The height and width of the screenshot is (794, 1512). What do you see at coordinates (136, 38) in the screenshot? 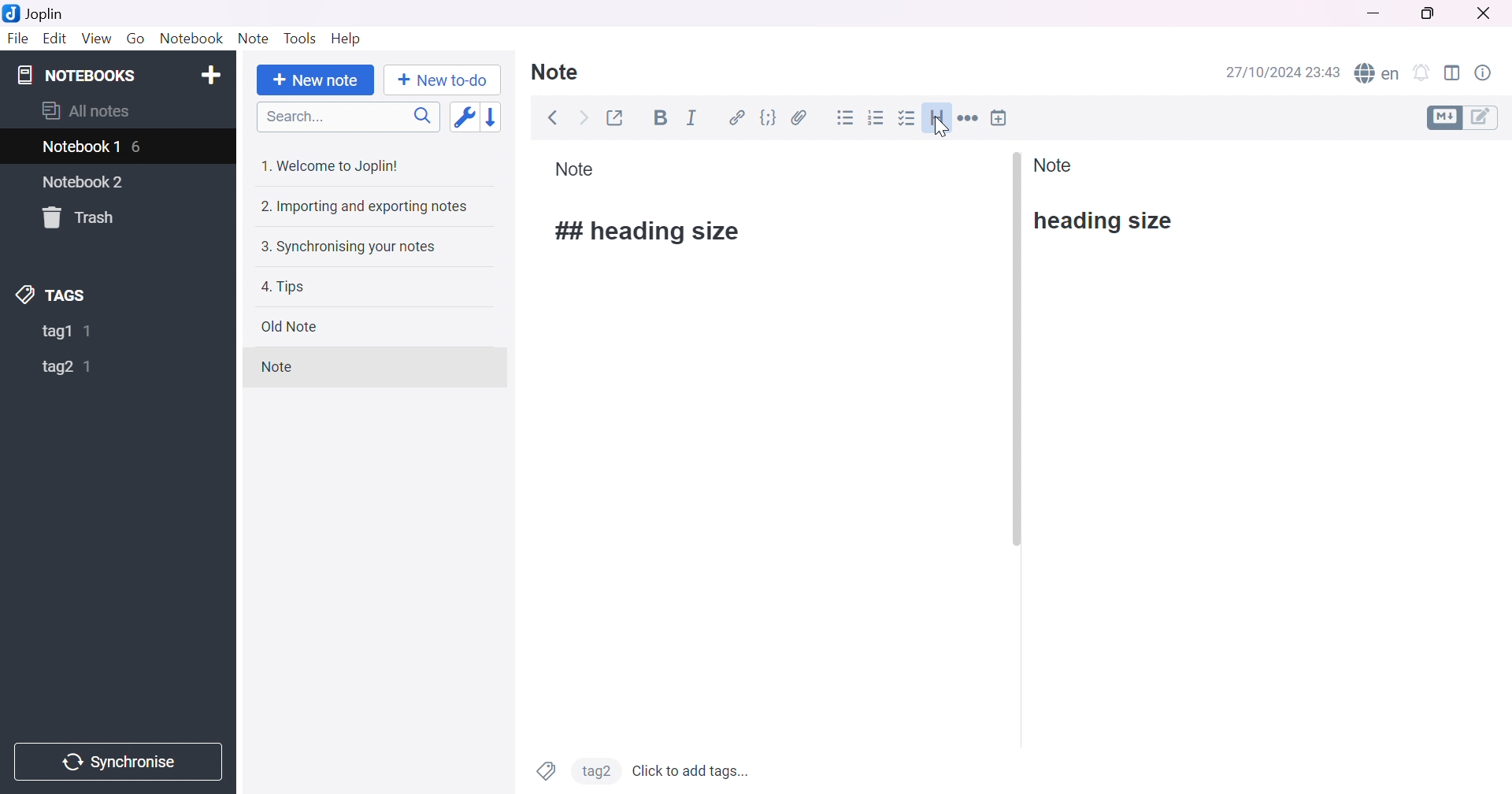
I see `Go` at bounding box center [136, 38].